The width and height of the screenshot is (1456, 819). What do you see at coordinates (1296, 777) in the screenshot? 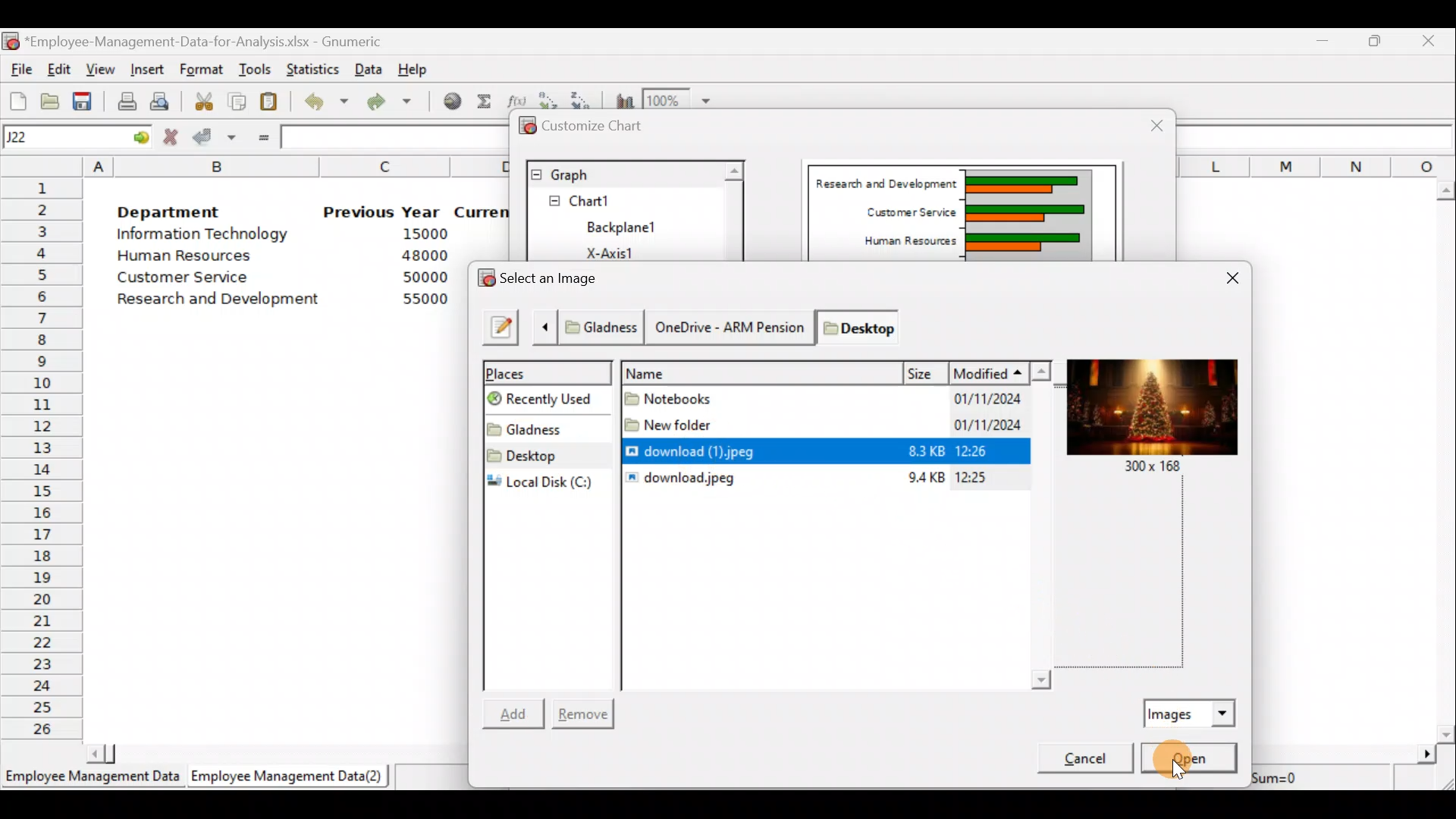
I see `Sum=0` at bounding box center [1296, 777].